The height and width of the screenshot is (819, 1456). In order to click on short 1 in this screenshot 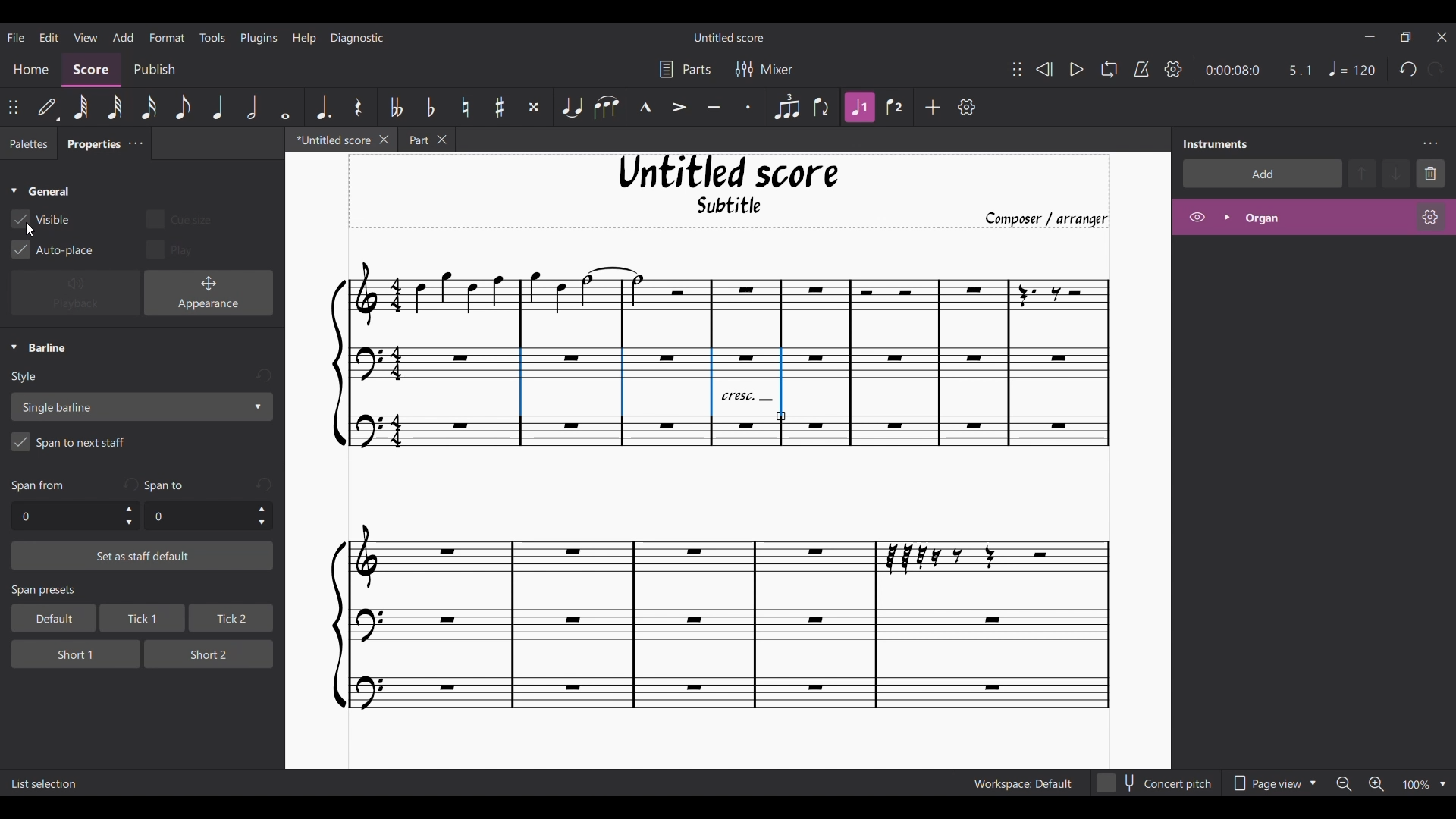, I will do `click(64, 652)`.